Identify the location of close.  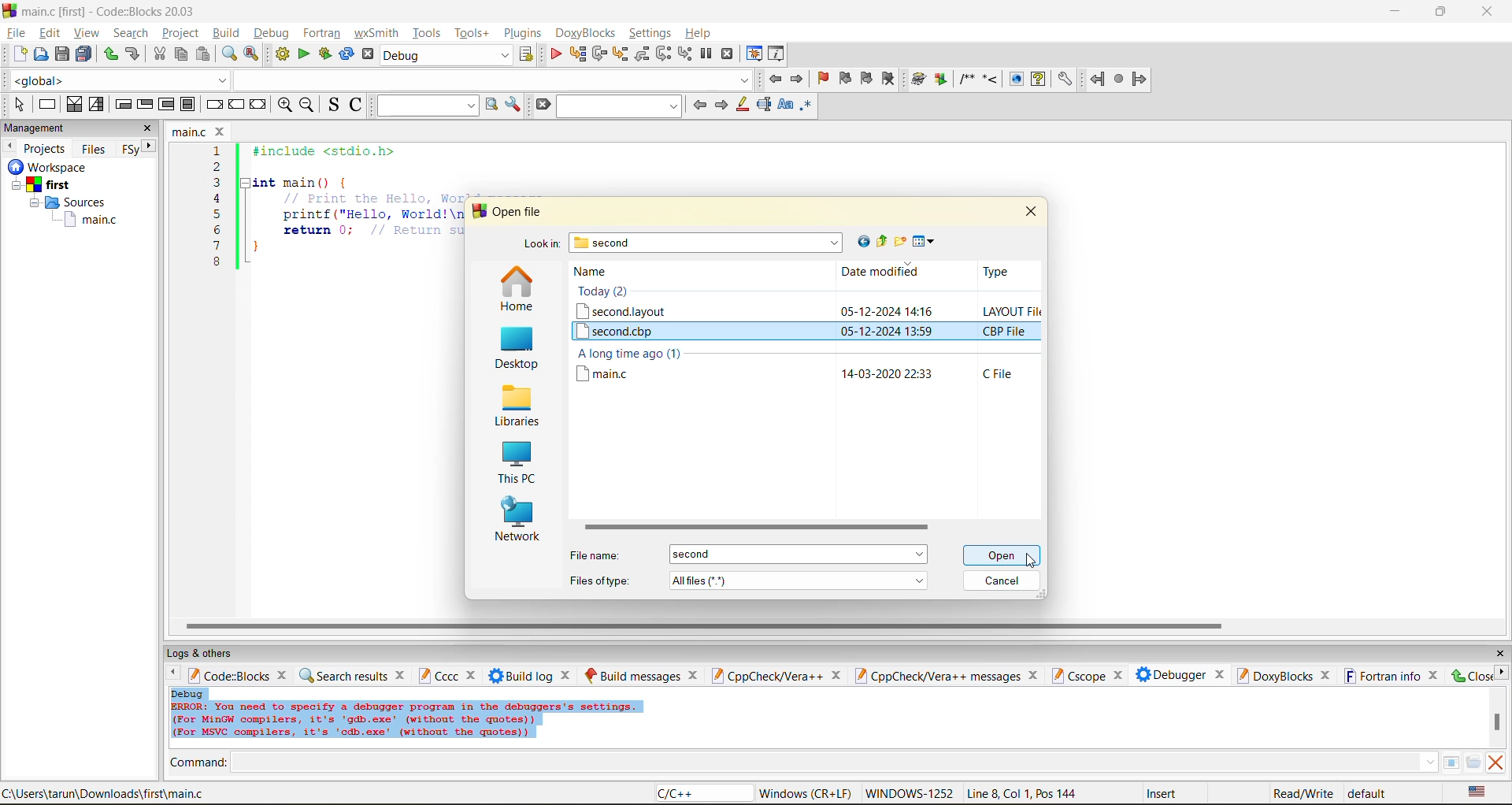
(1117, 676).